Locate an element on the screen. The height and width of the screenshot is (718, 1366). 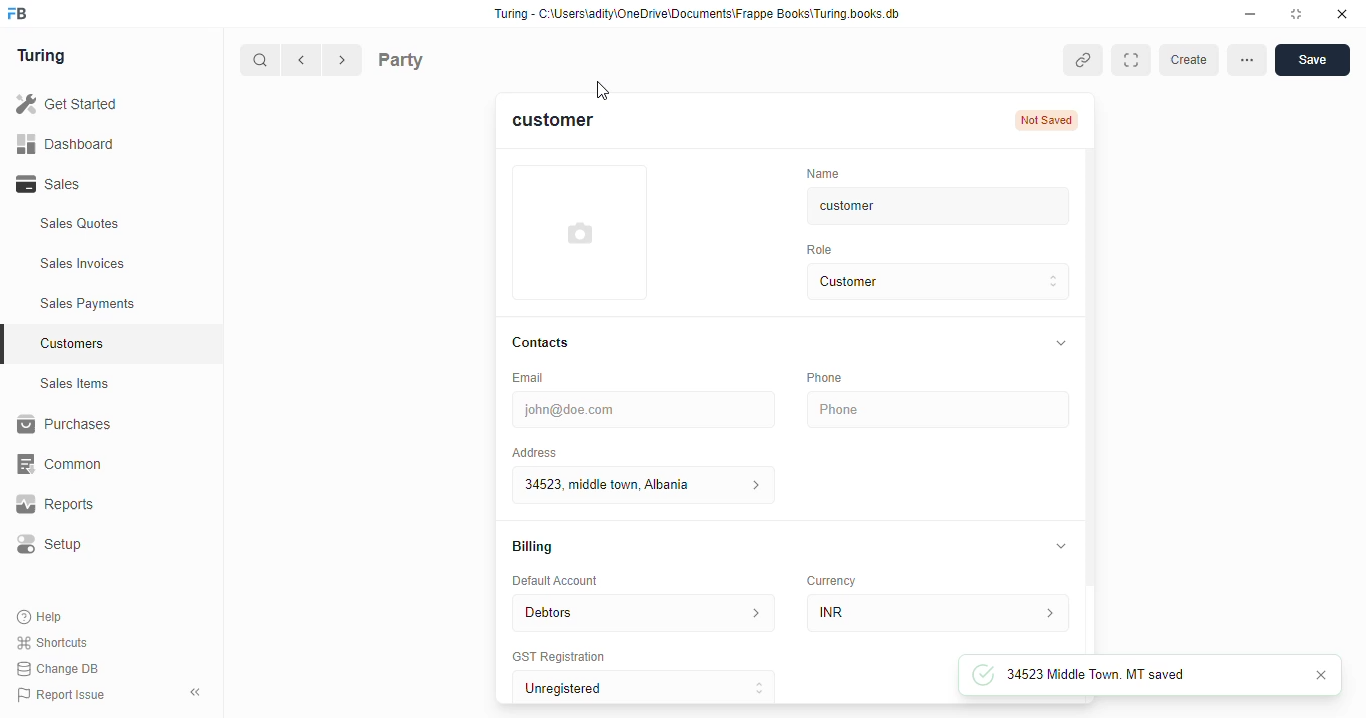
34523 Middle Town. MT saved is located at coordinates (1110, 678).